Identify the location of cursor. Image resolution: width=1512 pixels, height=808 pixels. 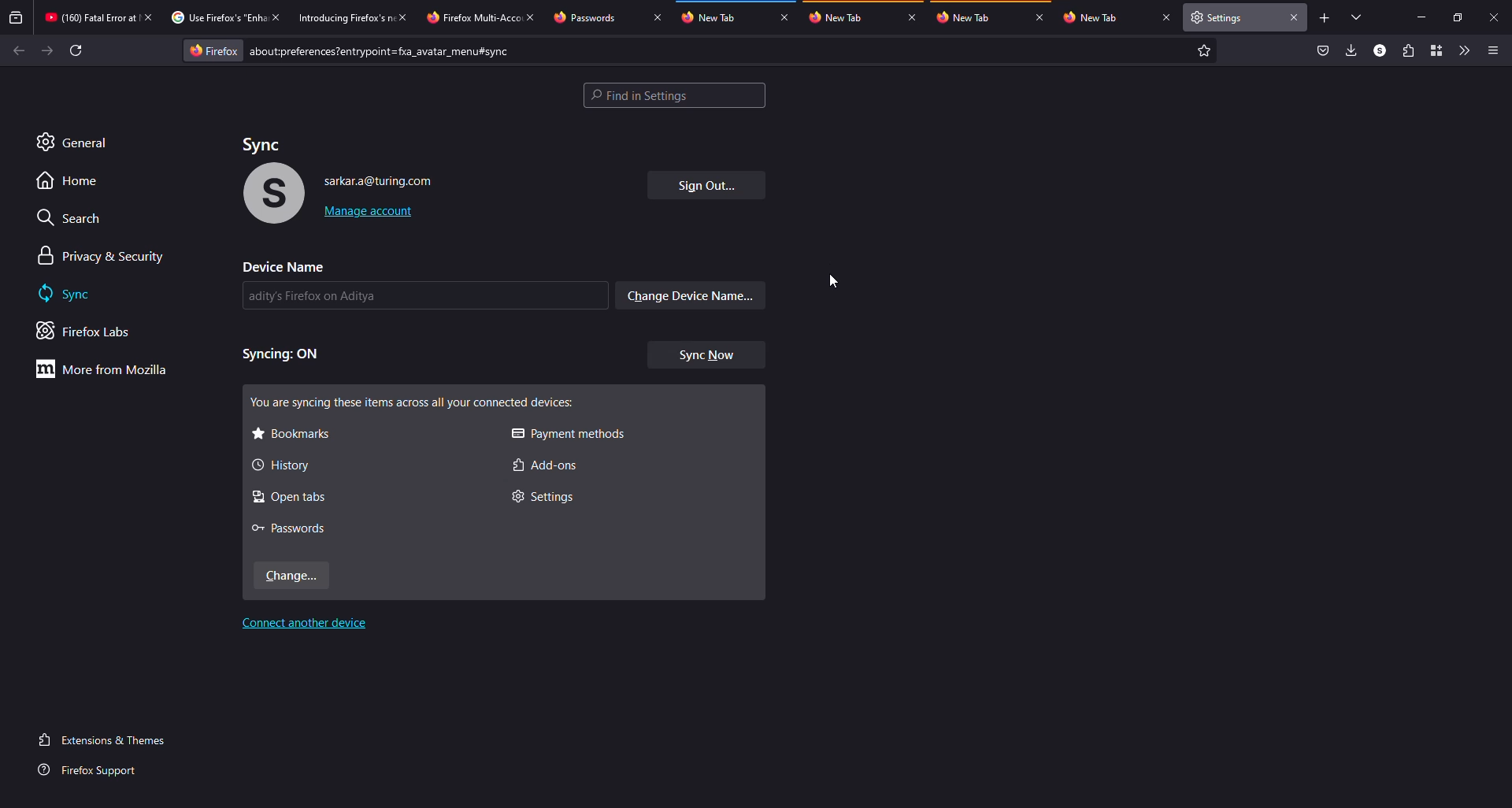
(832, 283).